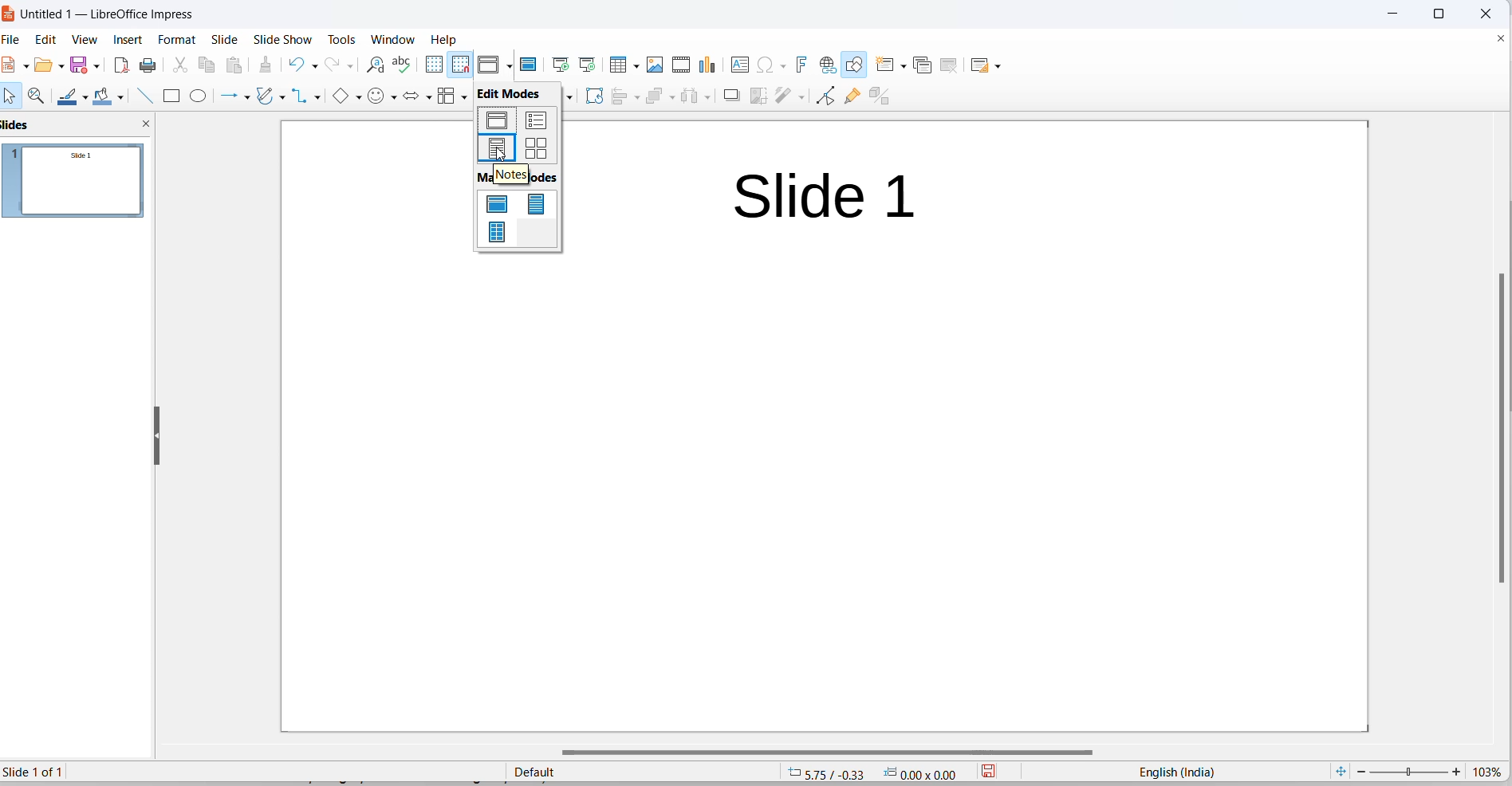  I want to click on line, so click(144, 97).